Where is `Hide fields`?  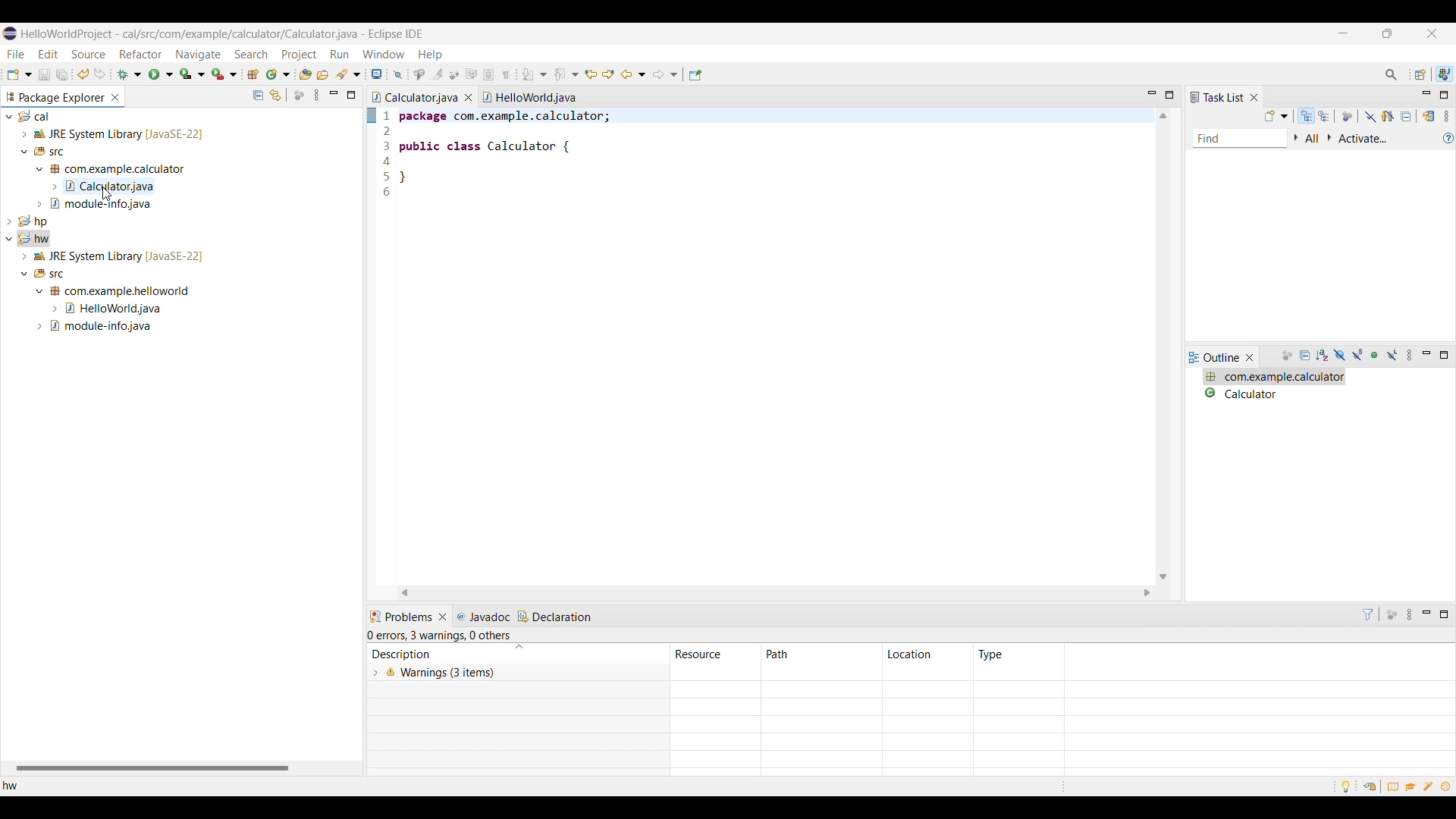 Hide fields is located at coordinates (1338, 356).